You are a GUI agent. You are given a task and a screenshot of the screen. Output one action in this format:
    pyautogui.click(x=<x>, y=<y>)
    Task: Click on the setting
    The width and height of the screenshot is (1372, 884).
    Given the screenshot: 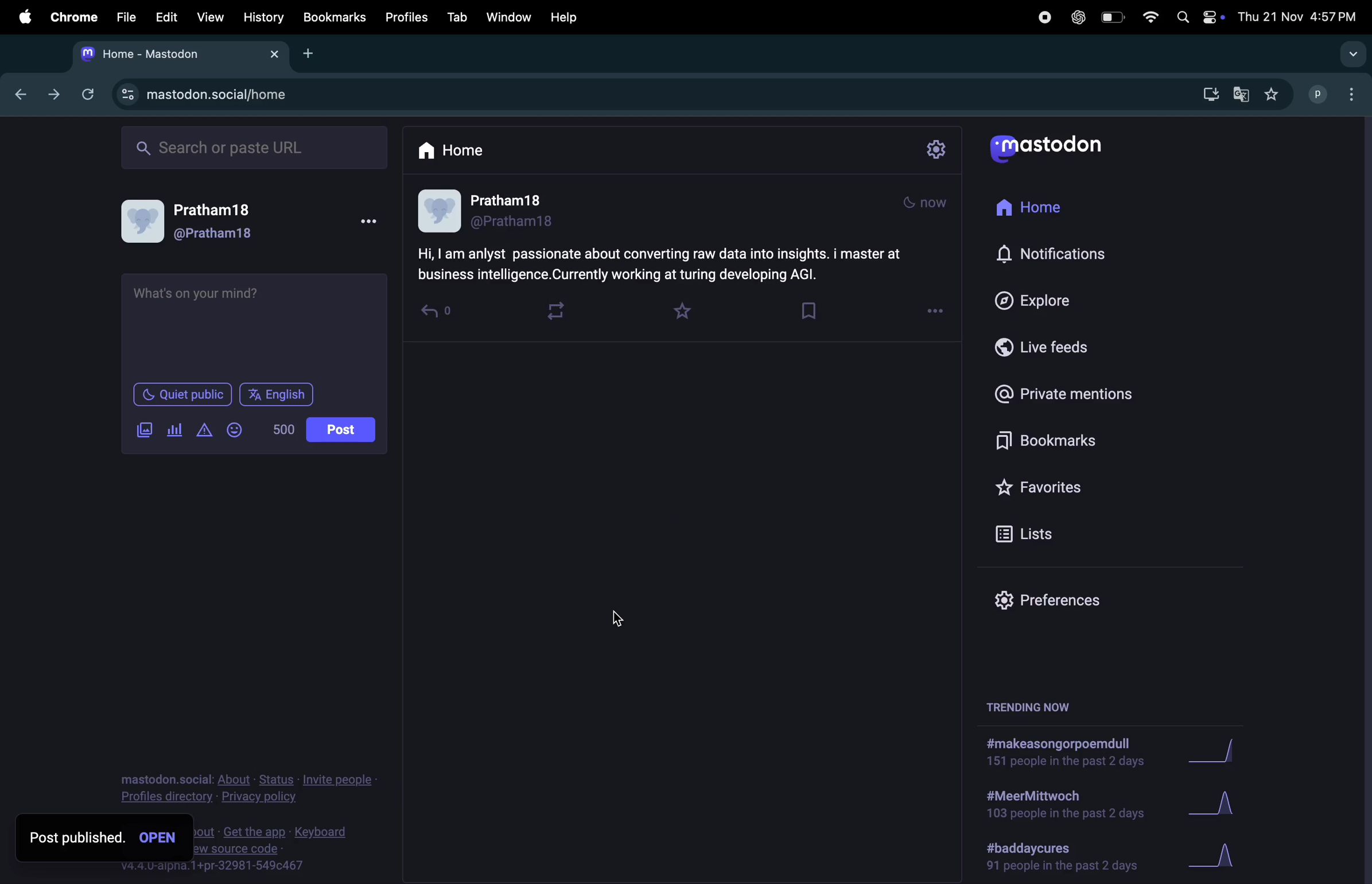 What is the action you would take?
    pyautogui.click(x=934, y=151)
    